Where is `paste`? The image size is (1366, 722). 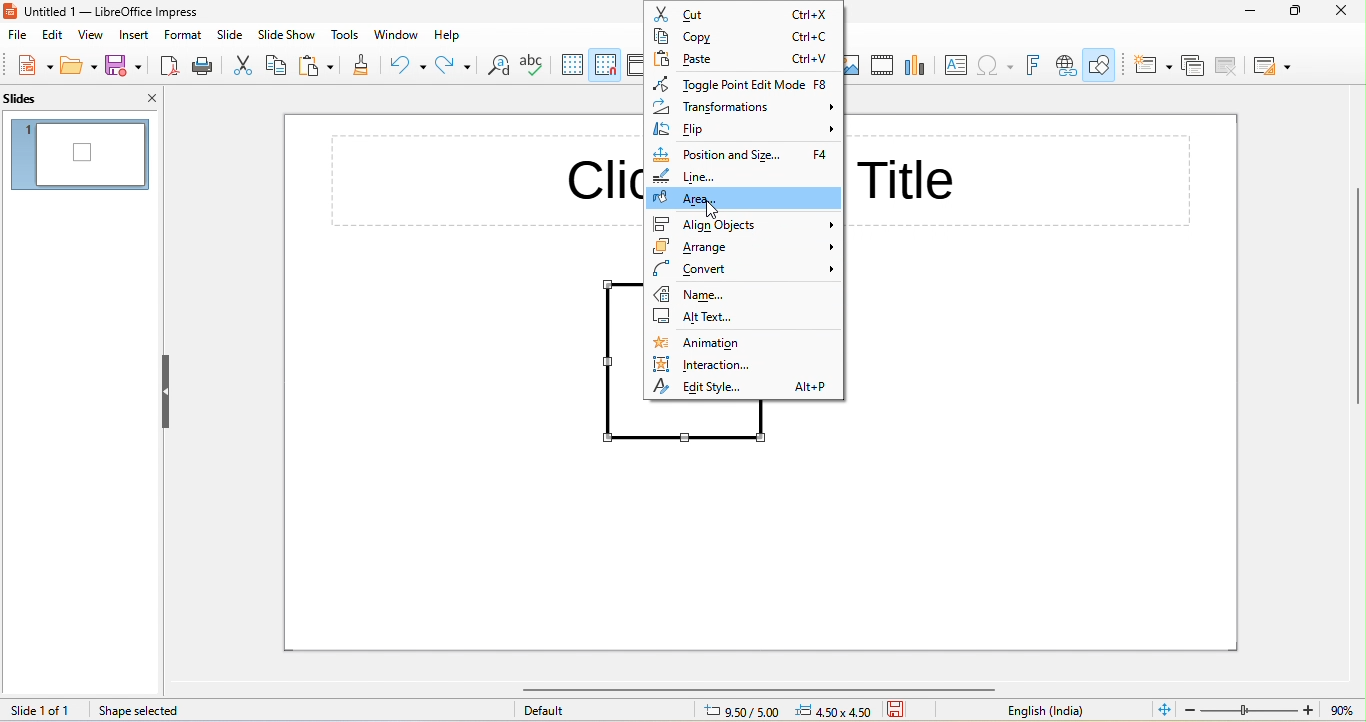
paste is located at coordinates (317, 64).